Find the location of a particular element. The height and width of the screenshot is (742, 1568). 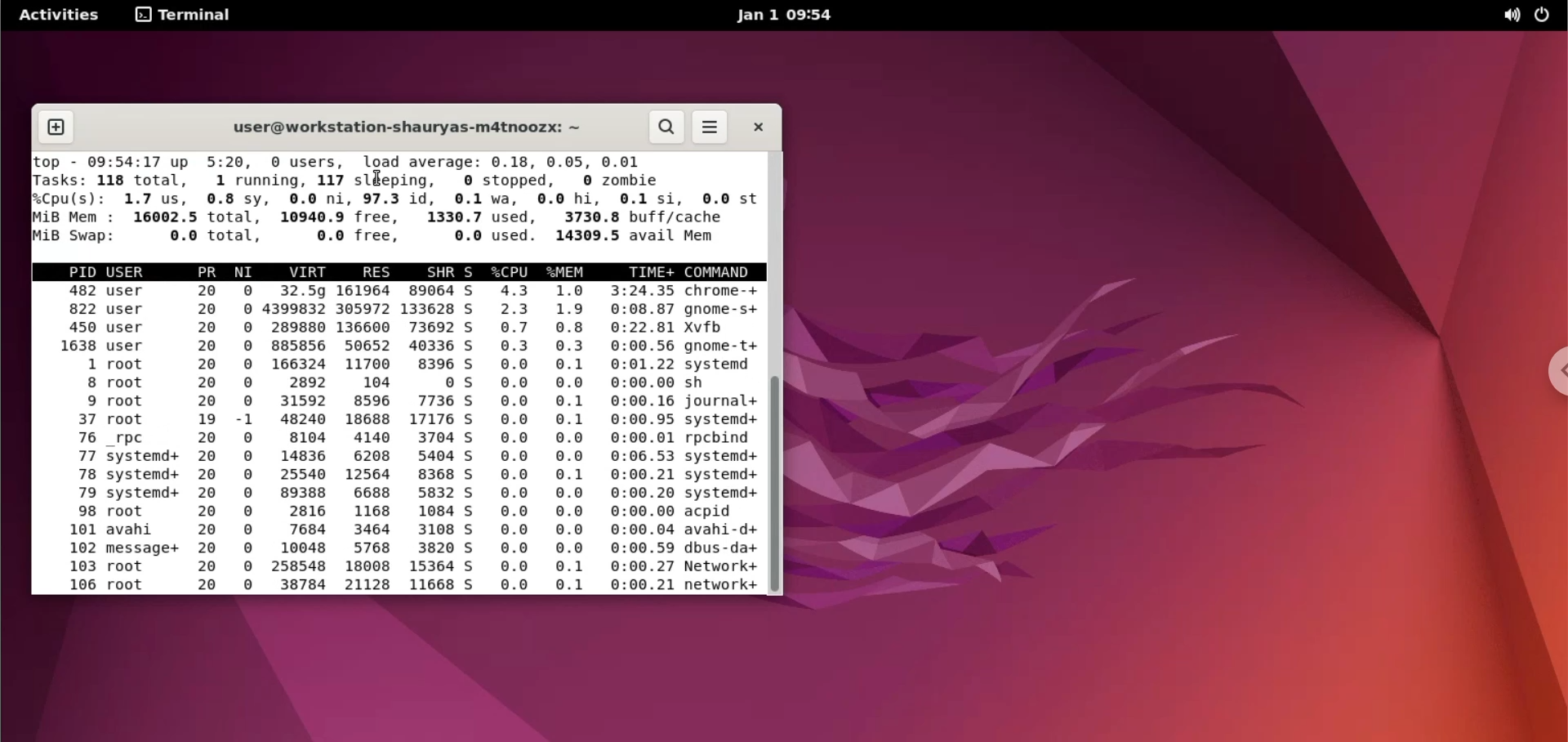

memory usage is located at coordinates (571, 440).